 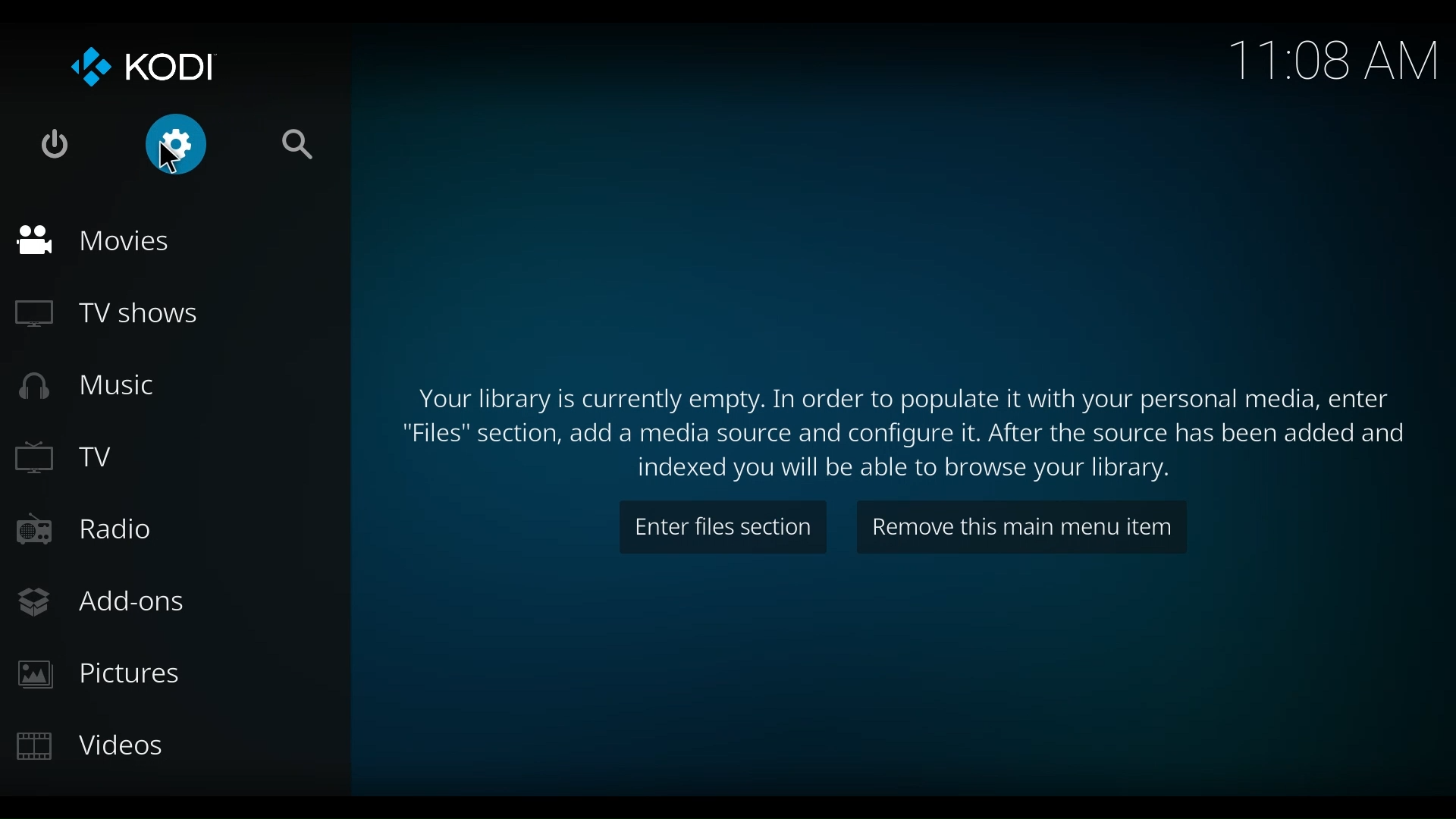 I want to click on Remove this main menu item, so click(x=1023, y=529).